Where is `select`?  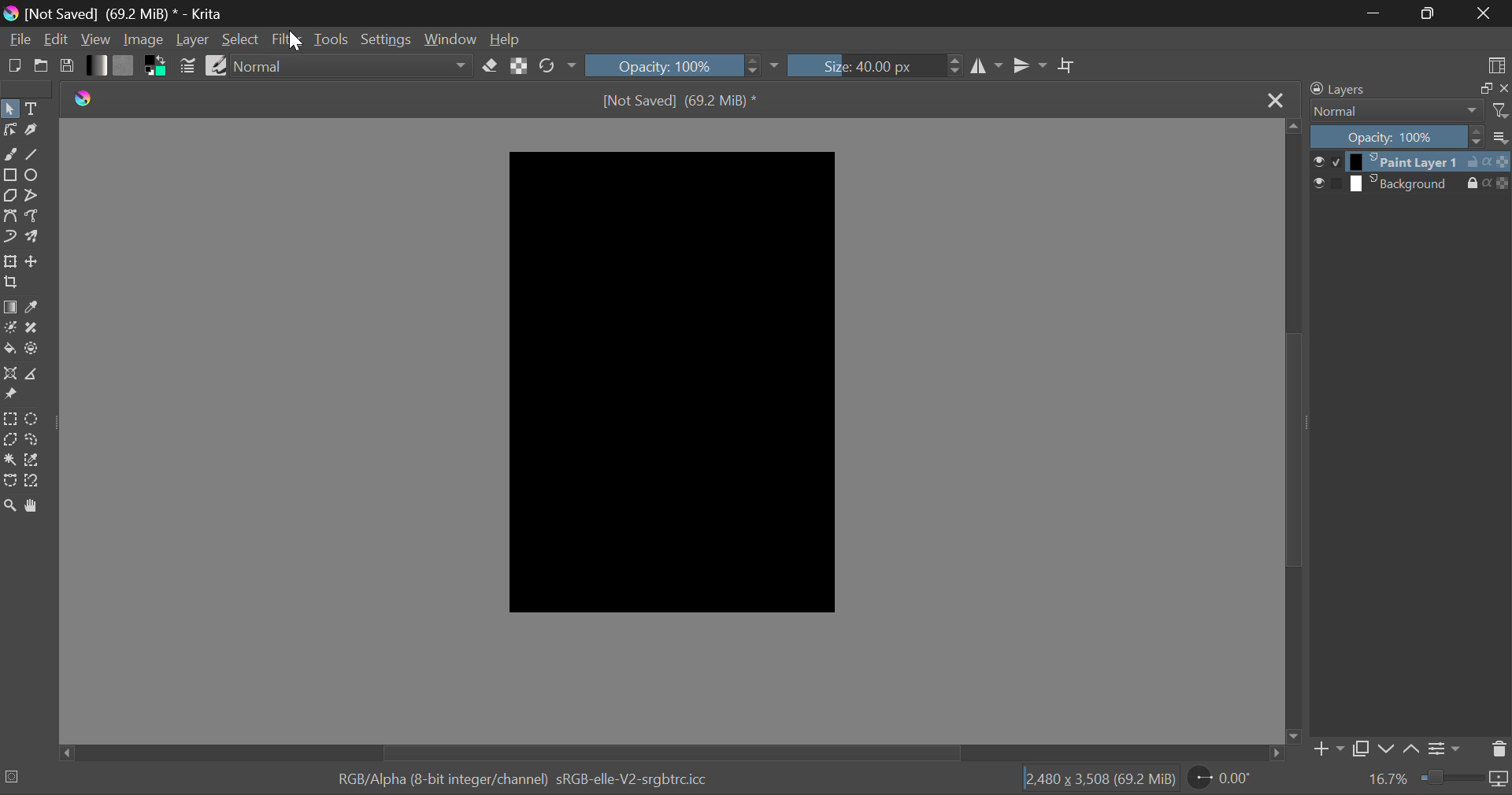 select is located at coordinates (1316, 160).